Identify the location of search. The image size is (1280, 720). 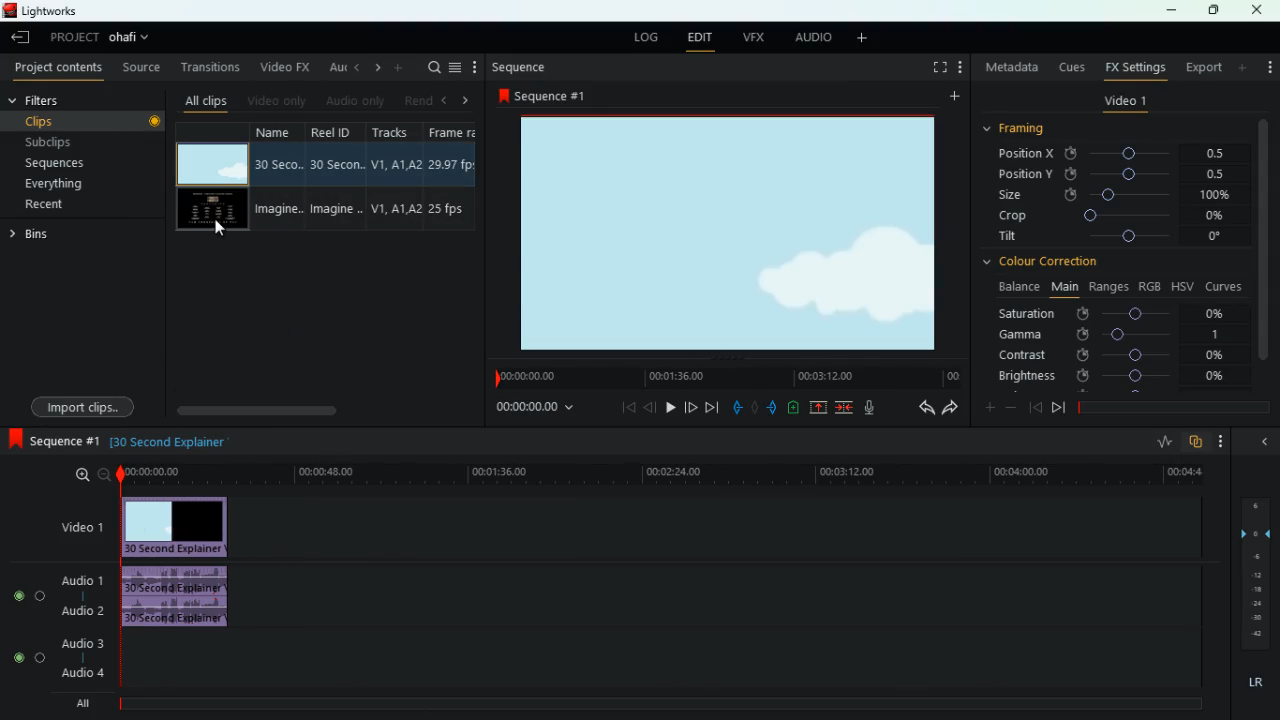
(432, 67).